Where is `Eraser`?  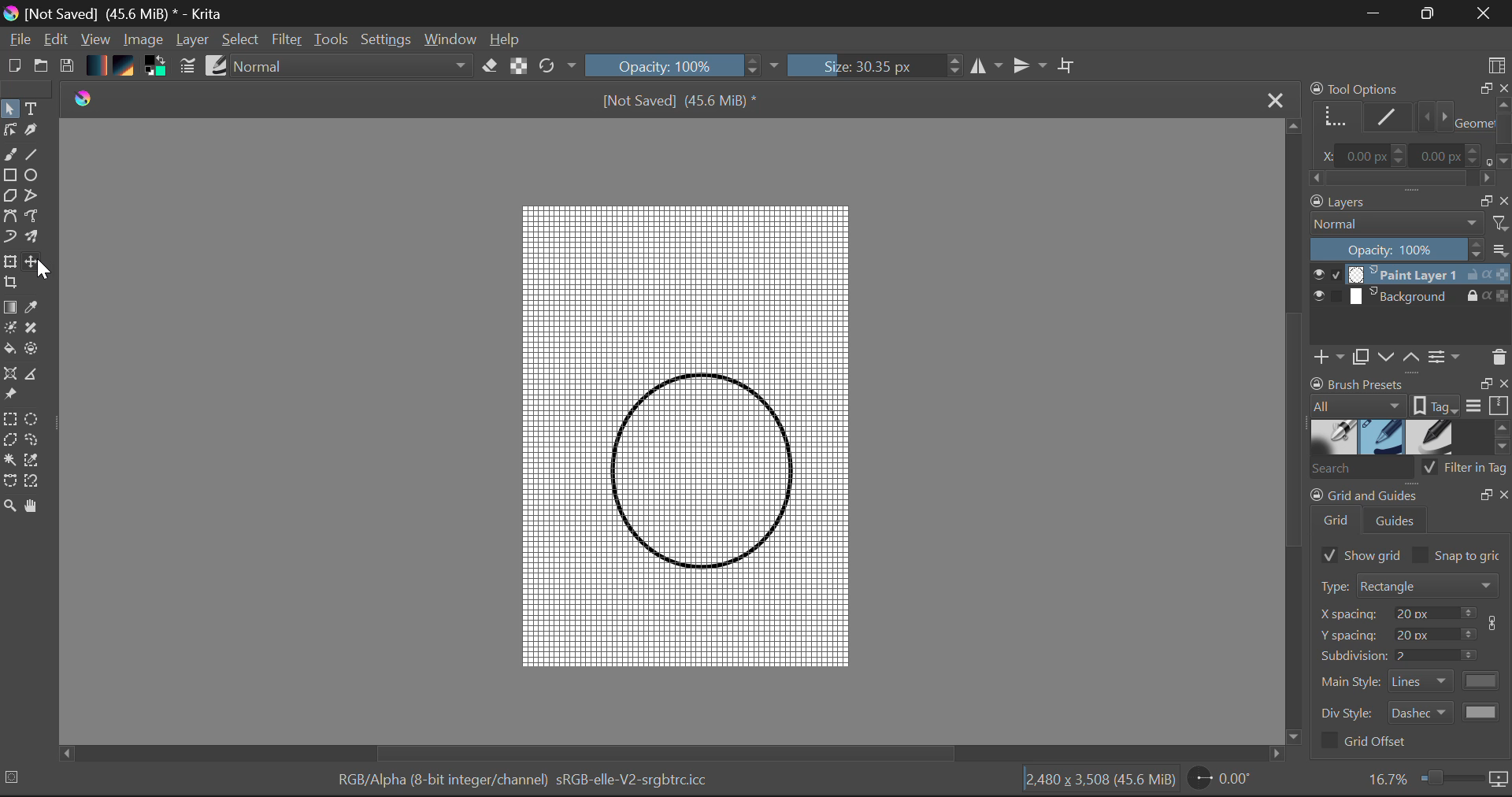 Eraser is located at coordinates (491, 67).